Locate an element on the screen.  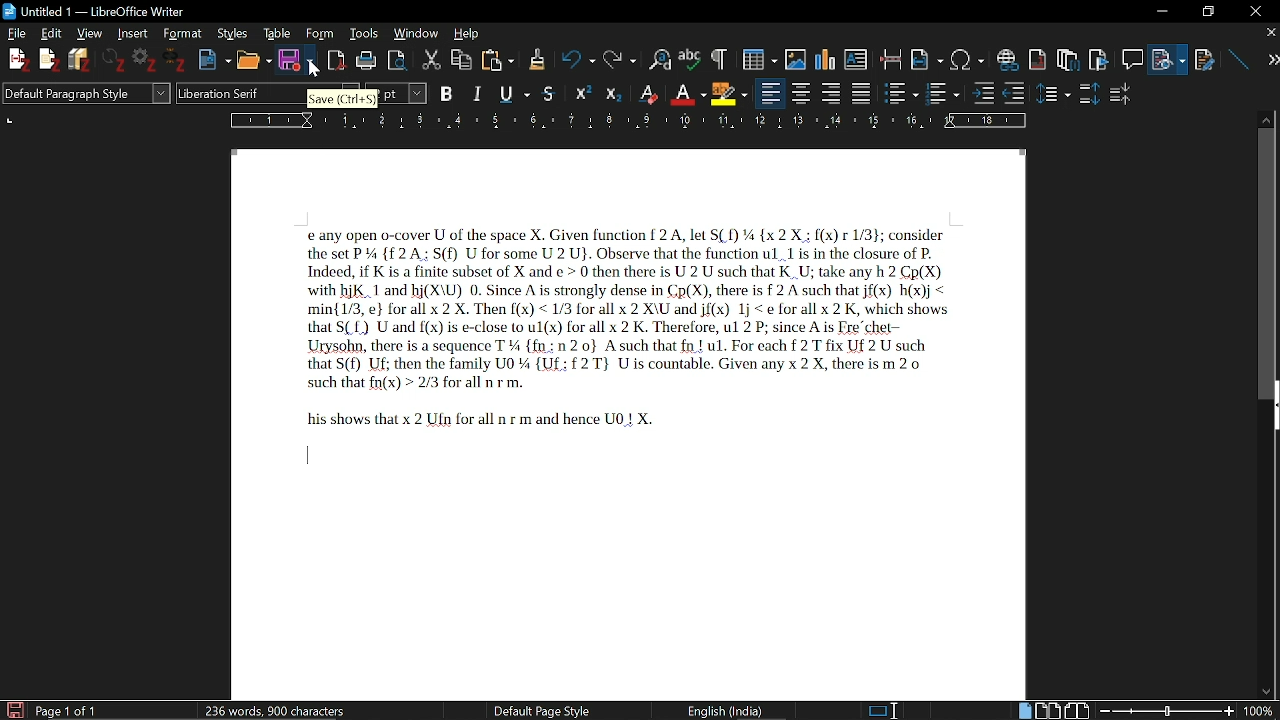
Insert cross reference is located at coordinates (1205, 55).